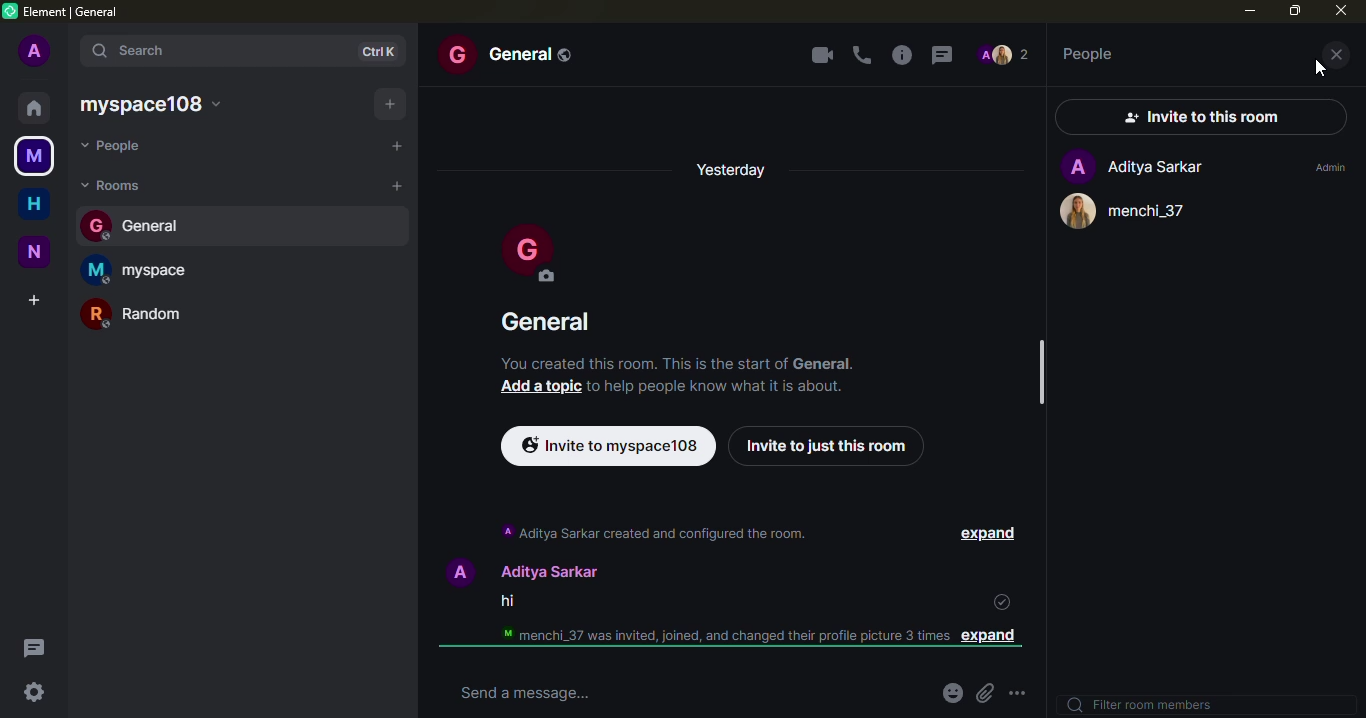 This screenshot has height=718, width=1366. I want to click on hi, so click(504, 603).